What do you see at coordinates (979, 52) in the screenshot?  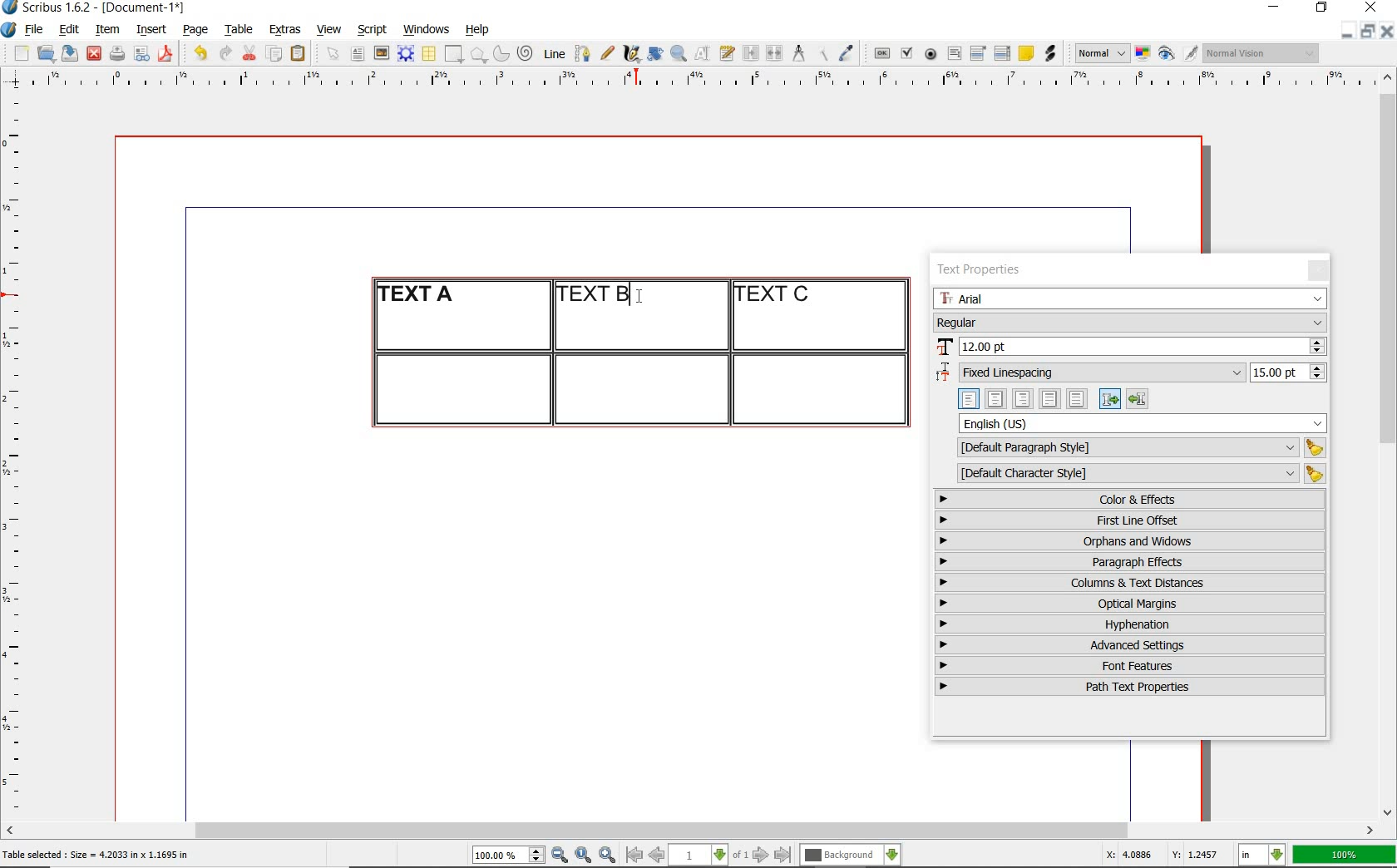 I see `pdf combo box` at bounding box center [979, 52].